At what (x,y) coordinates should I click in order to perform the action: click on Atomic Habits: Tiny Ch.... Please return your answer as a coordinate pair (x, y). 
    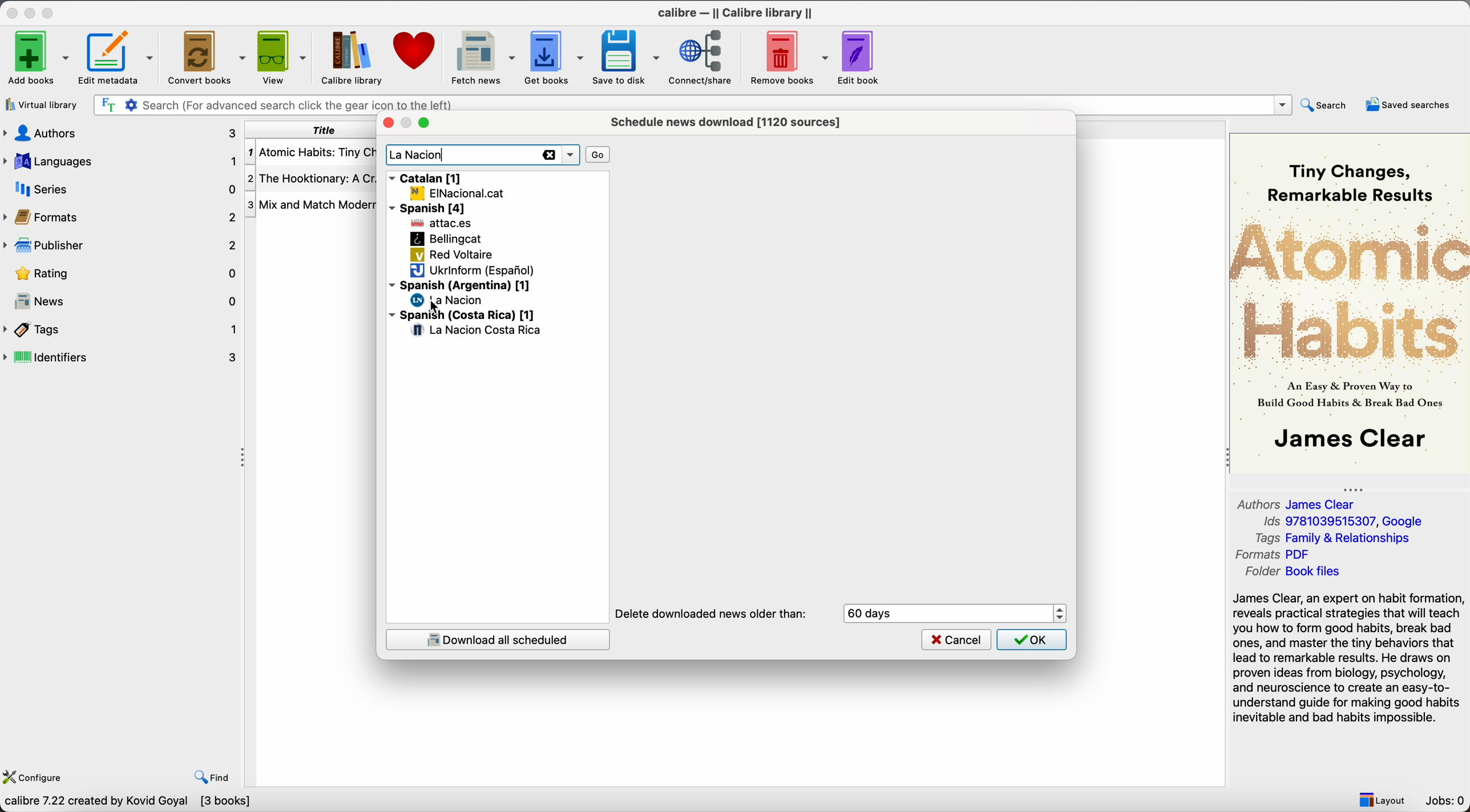
    Looking at the image, I should click on (312, 153).